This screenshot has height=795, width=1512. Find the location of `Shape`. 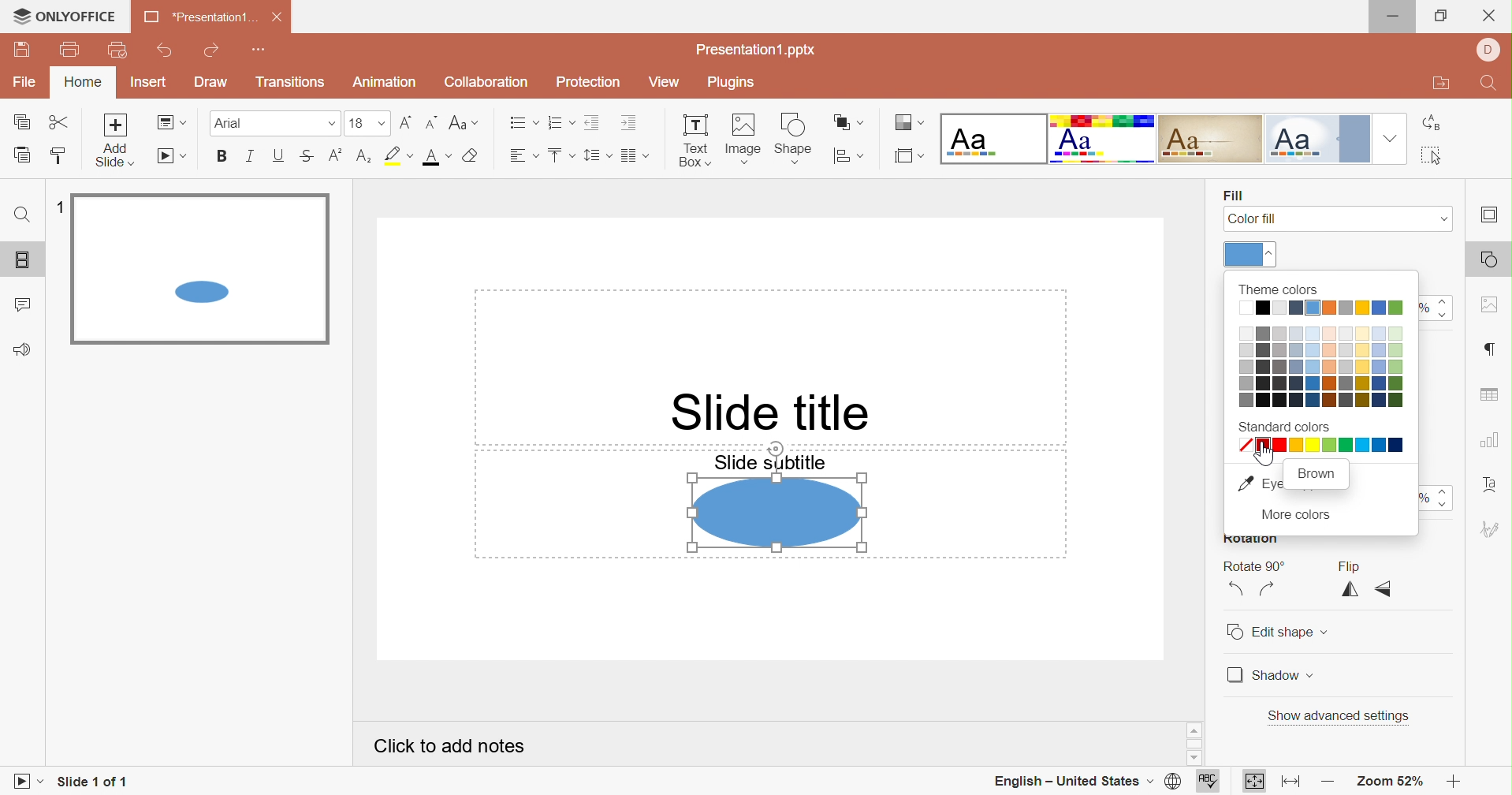

Shape is located at coordinates (776, 513).